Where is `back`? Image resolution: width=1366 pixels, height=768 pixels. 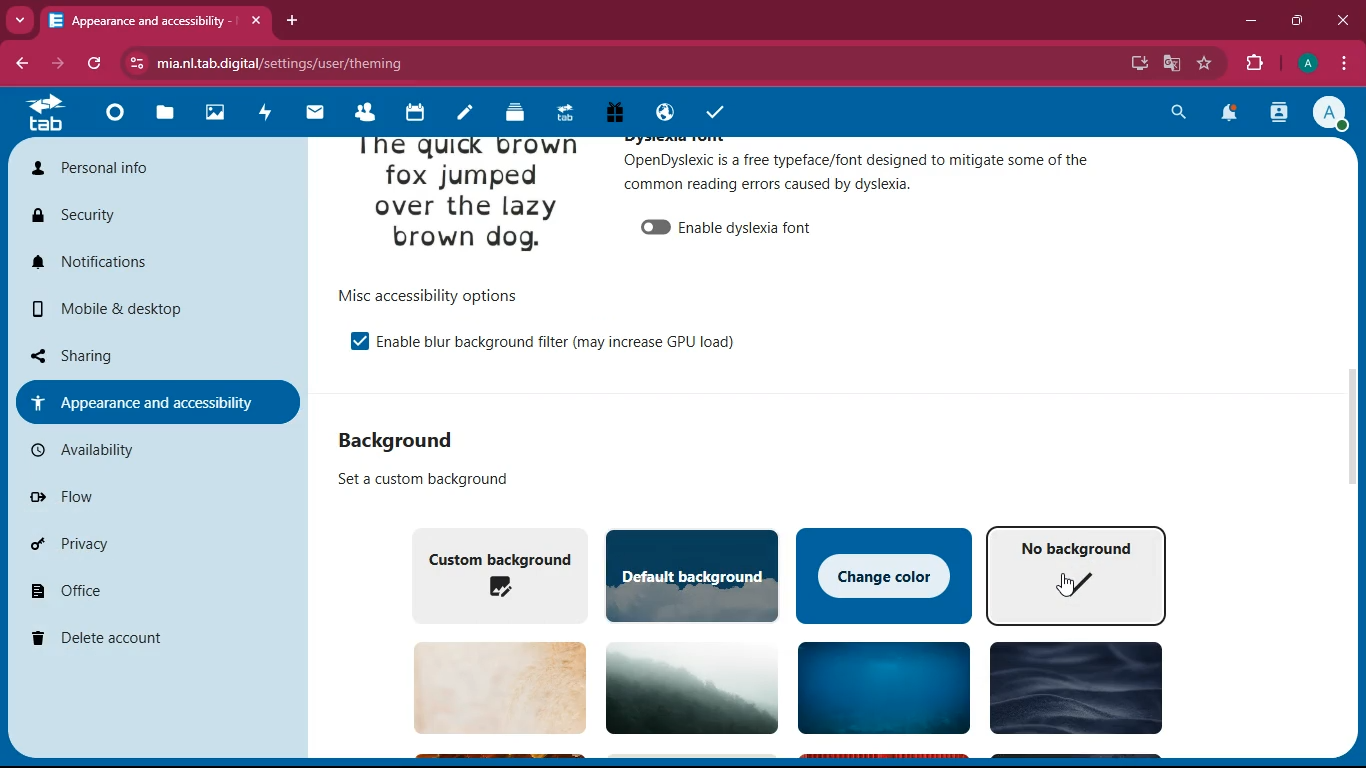 back is located at coordinates (25, 64).